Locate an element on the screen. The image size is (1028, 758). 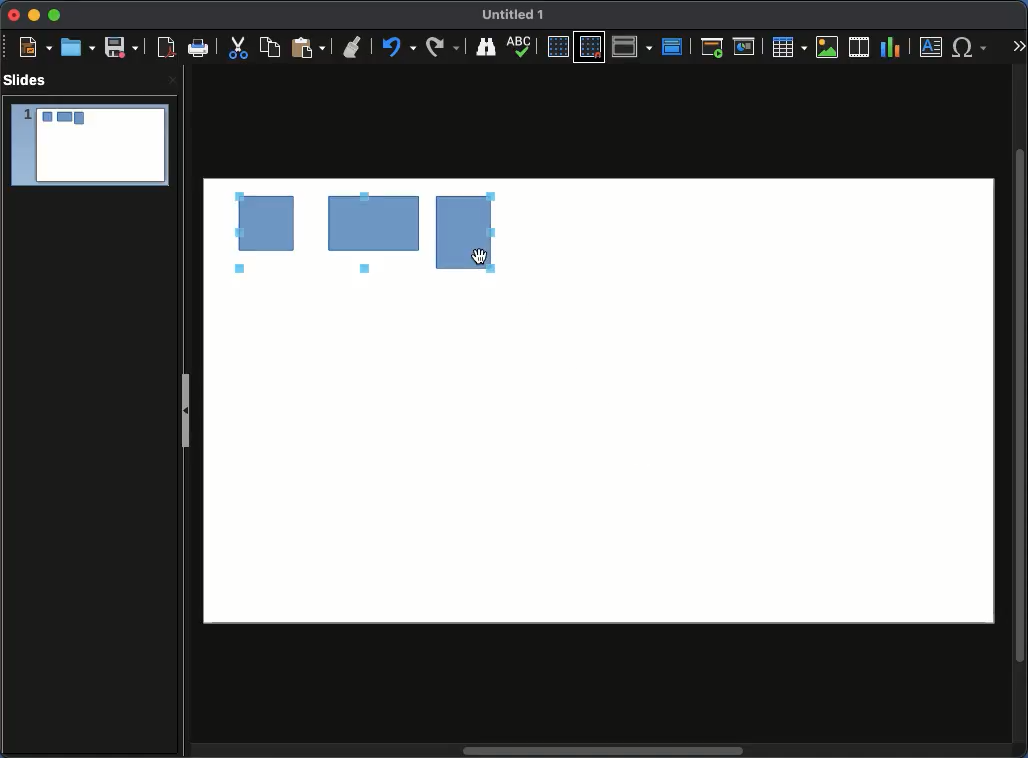
Characters is located at coordinates (972, 47).